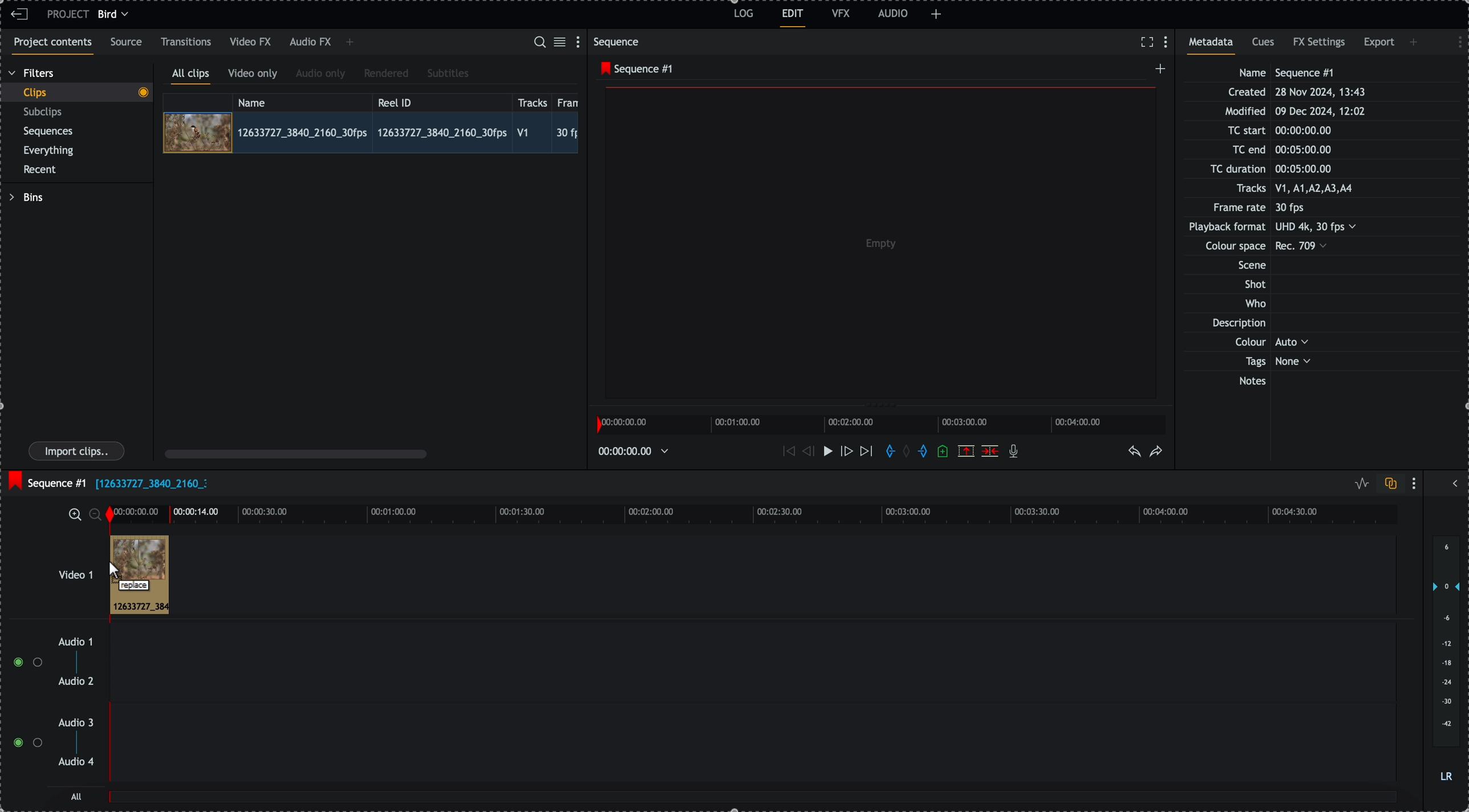  I want to click on audio 1, so click(71, 643).